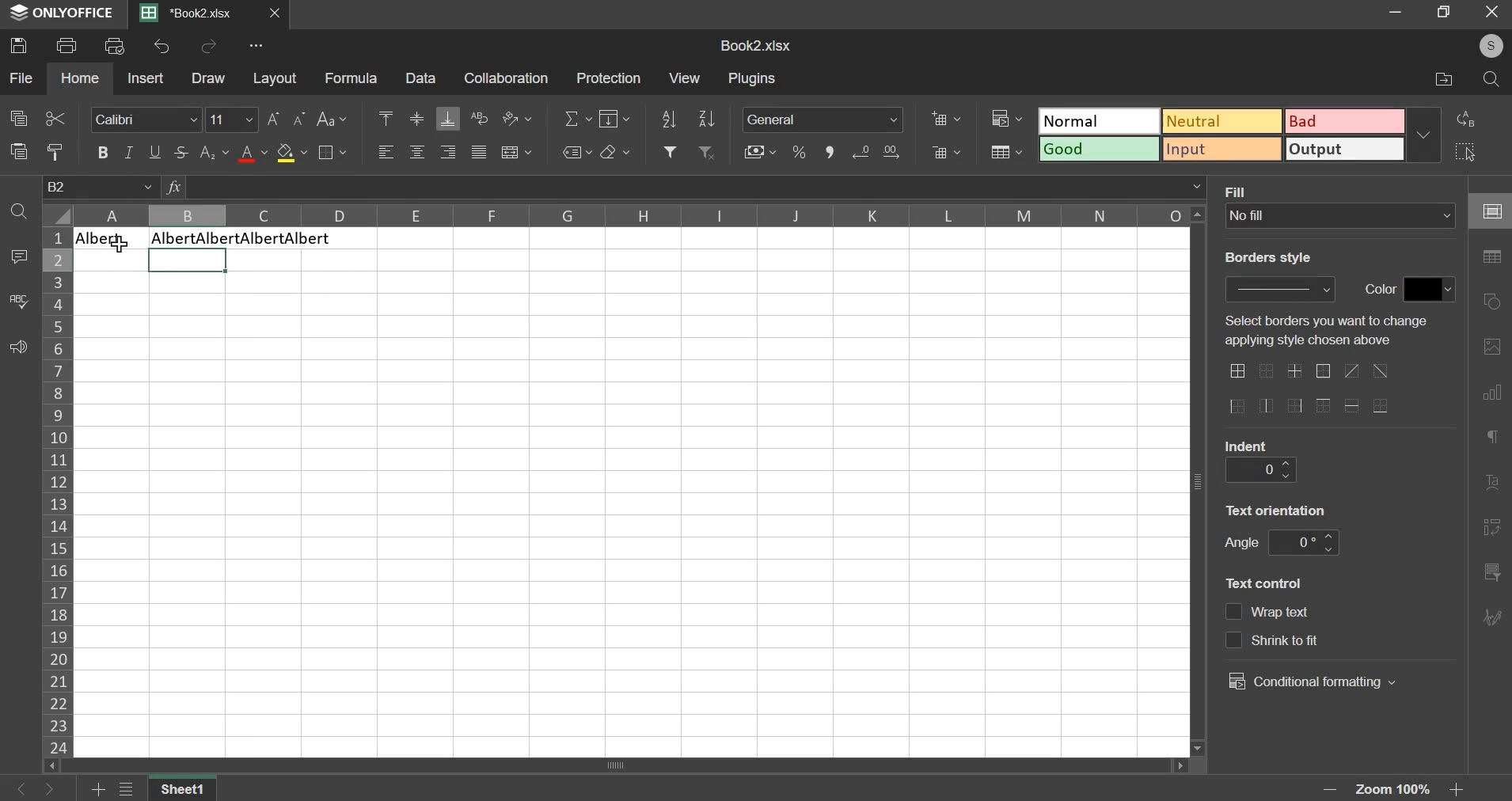  What do you see at coordinates (515, 117) in the screenshot?
I see `orientation` at bounding box center [515, 117].